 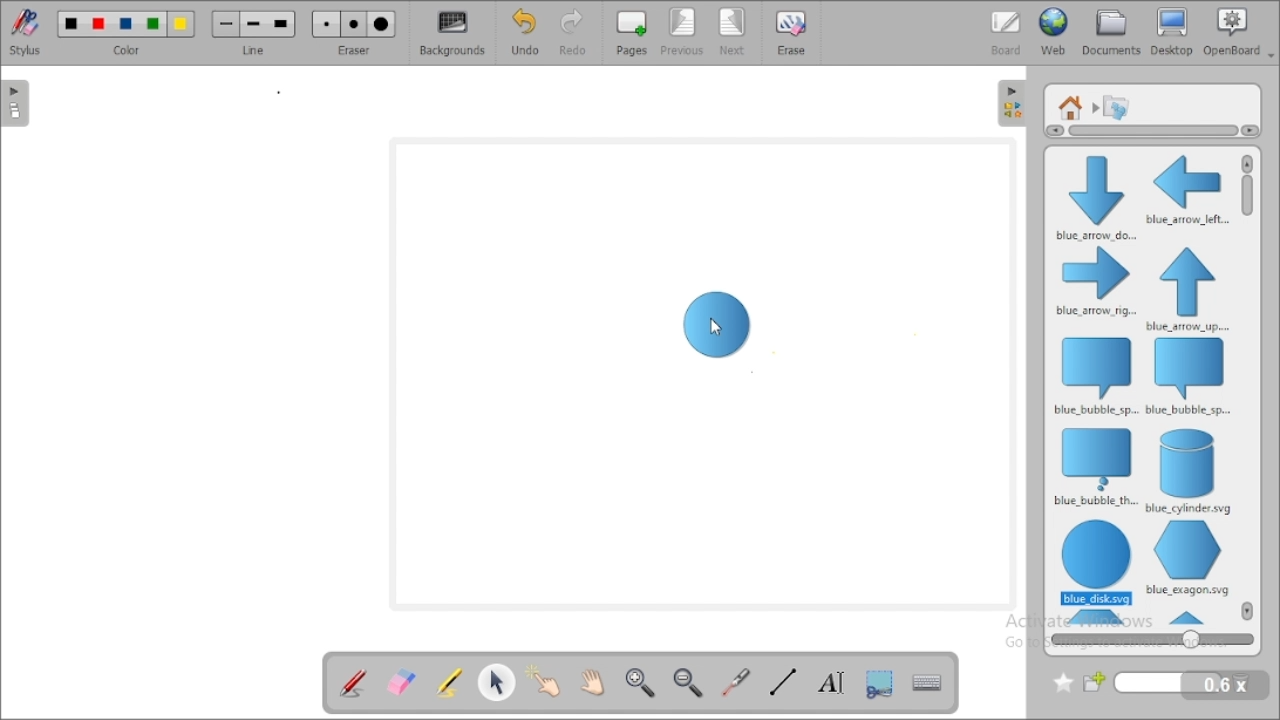 I want to click on blue arrow left, so click(x=1187, y=189).